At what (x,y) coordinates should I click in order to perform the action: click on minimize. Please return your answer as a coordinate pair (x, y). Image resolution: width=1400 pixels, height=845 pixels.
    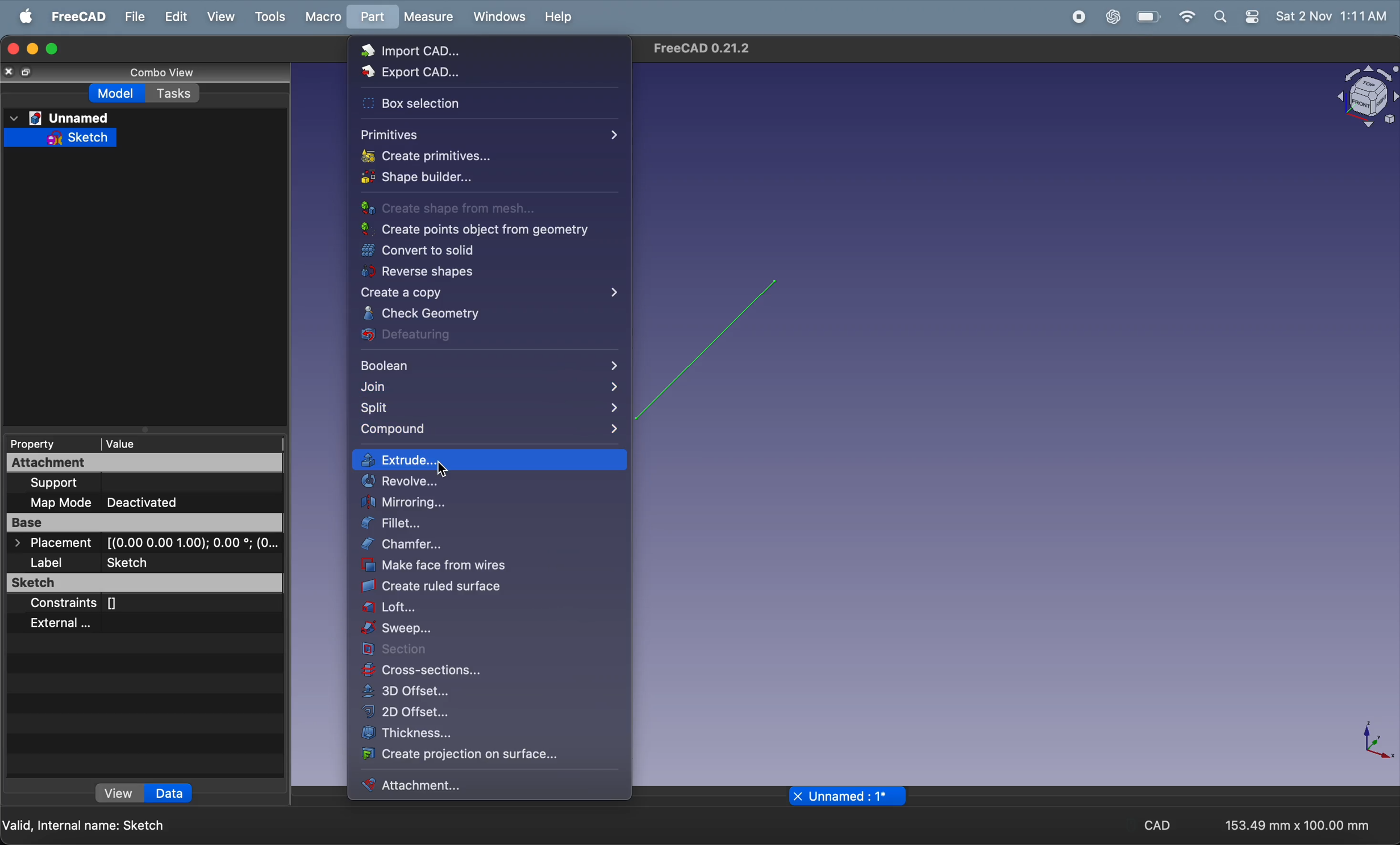
    Looking at the image, I should click on (33, 49).